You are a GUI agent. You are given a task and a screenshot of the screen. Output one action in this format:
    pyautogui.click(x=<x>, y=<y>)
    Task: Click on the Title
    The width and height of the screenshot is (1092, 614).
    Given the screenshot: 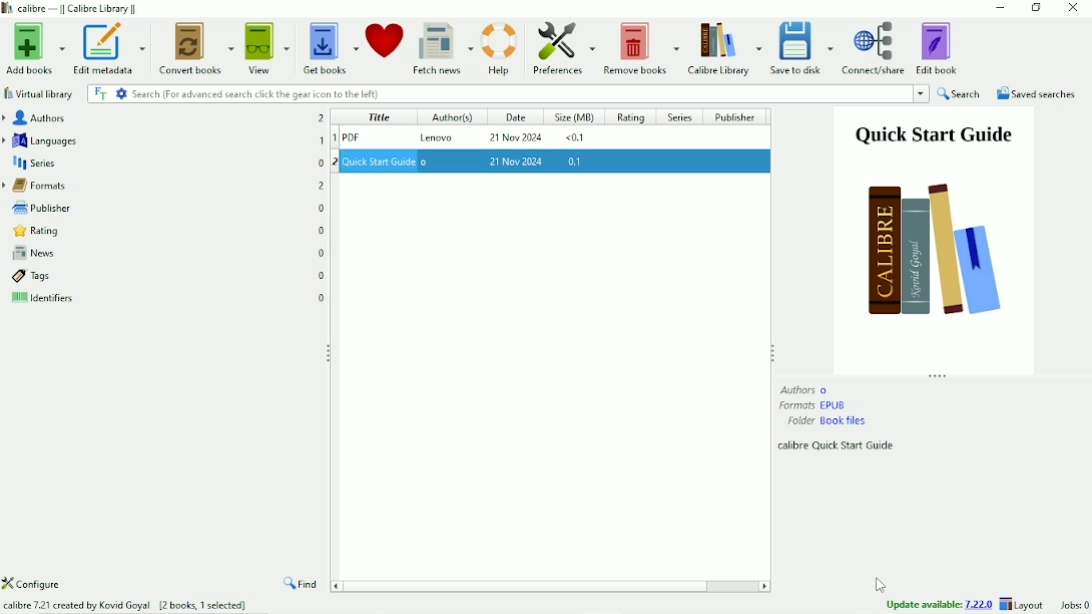 What is the action you would take?
    pyautogui.click(x=377, y=116)
    